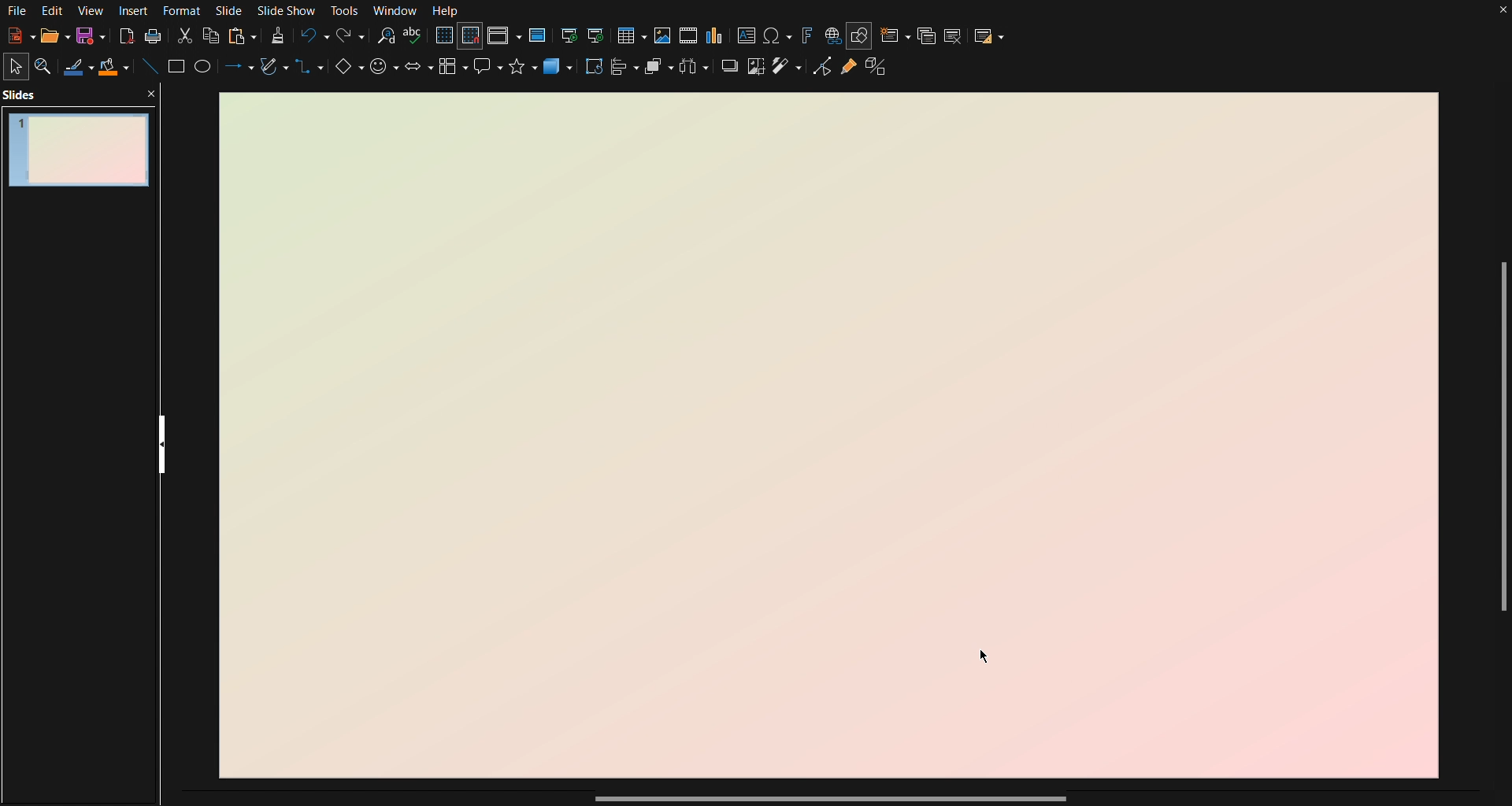 The image size is (1512, 806). Describe the element at coordinates (273, 70) in the screenshot. I see `Vectors` at that location.